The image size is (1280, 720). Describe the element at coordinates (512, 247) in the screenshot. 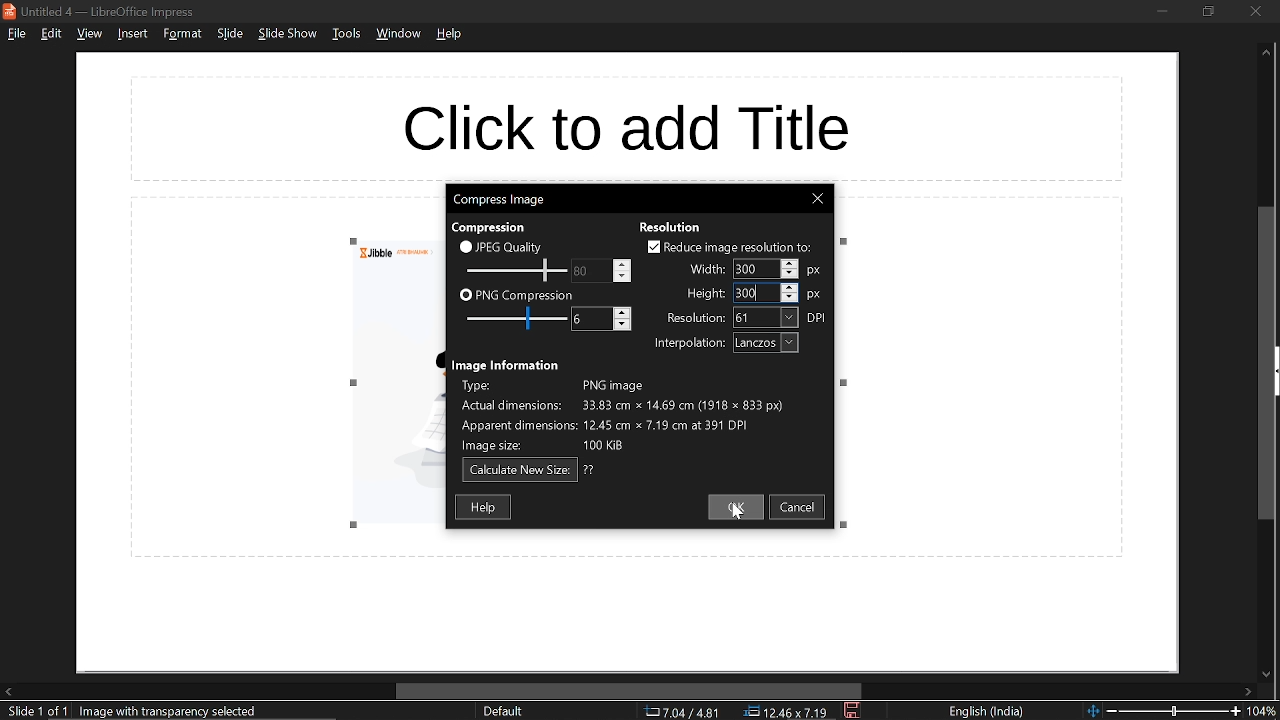

I see `JPEG quality` at that location.